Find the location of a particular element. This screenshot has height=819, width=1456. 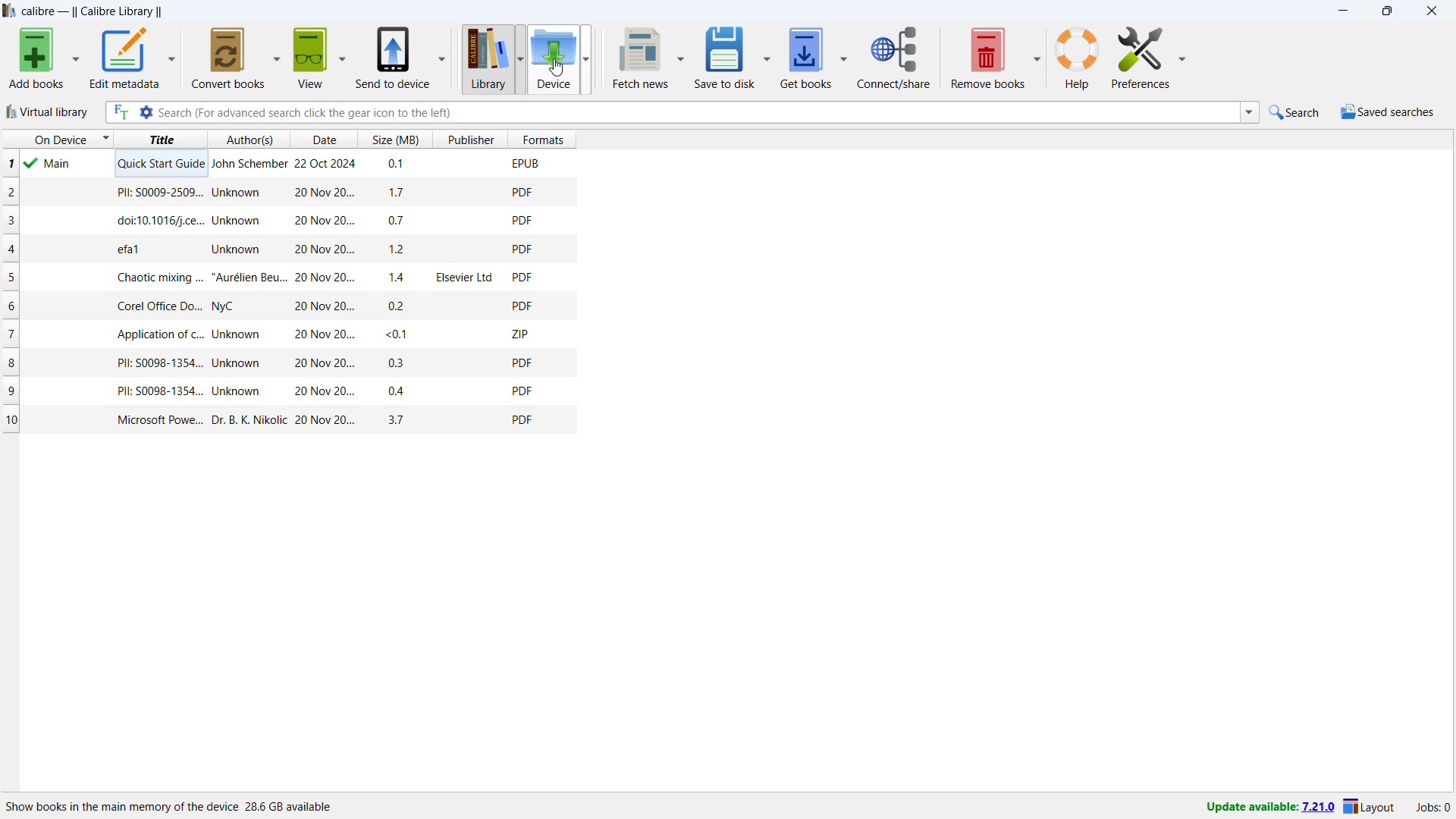

save to disk is located at coordinates (723, 57).